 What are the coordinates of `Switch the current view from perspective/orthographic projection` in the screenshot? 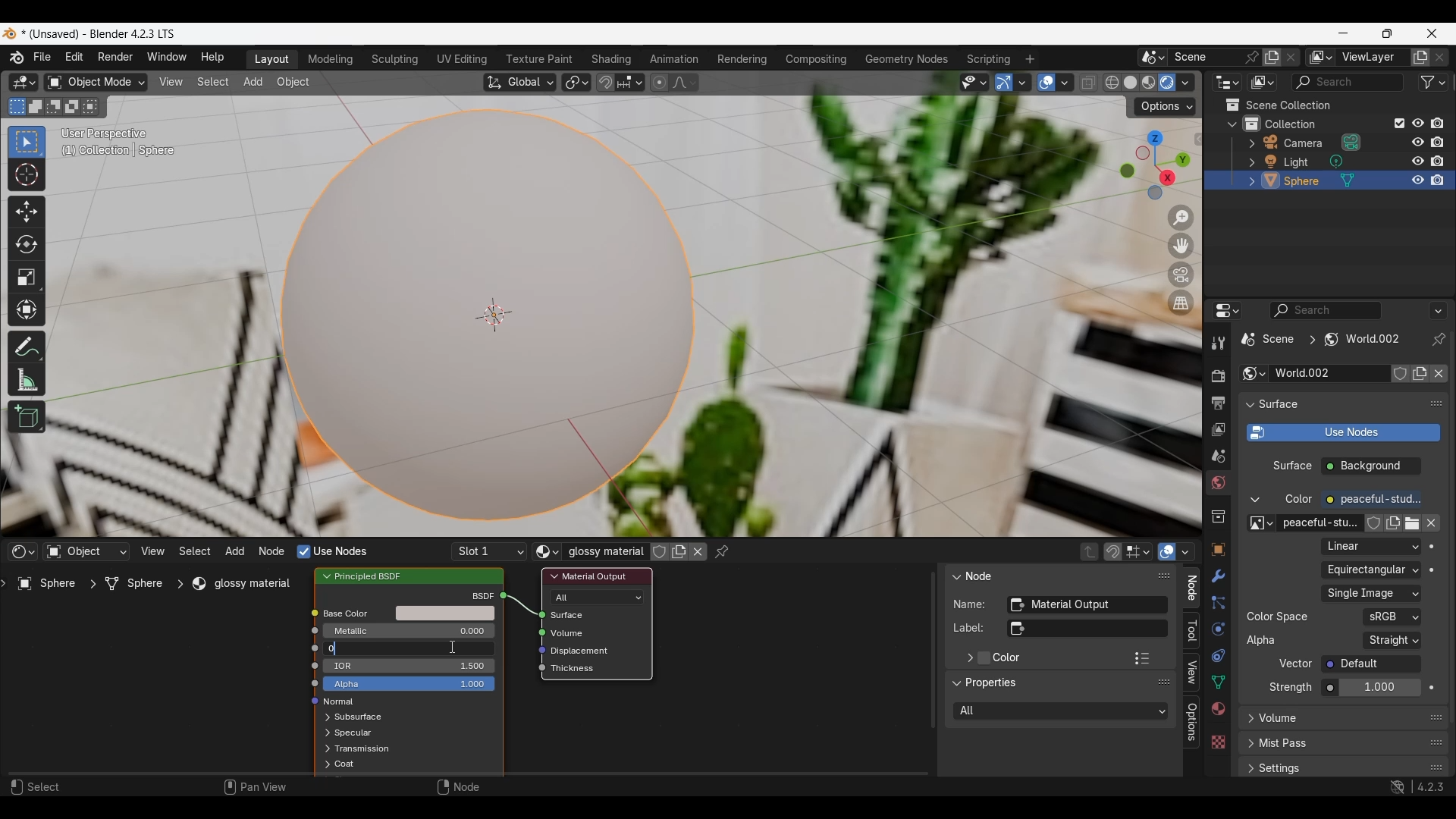 It's located at (1181, 303).